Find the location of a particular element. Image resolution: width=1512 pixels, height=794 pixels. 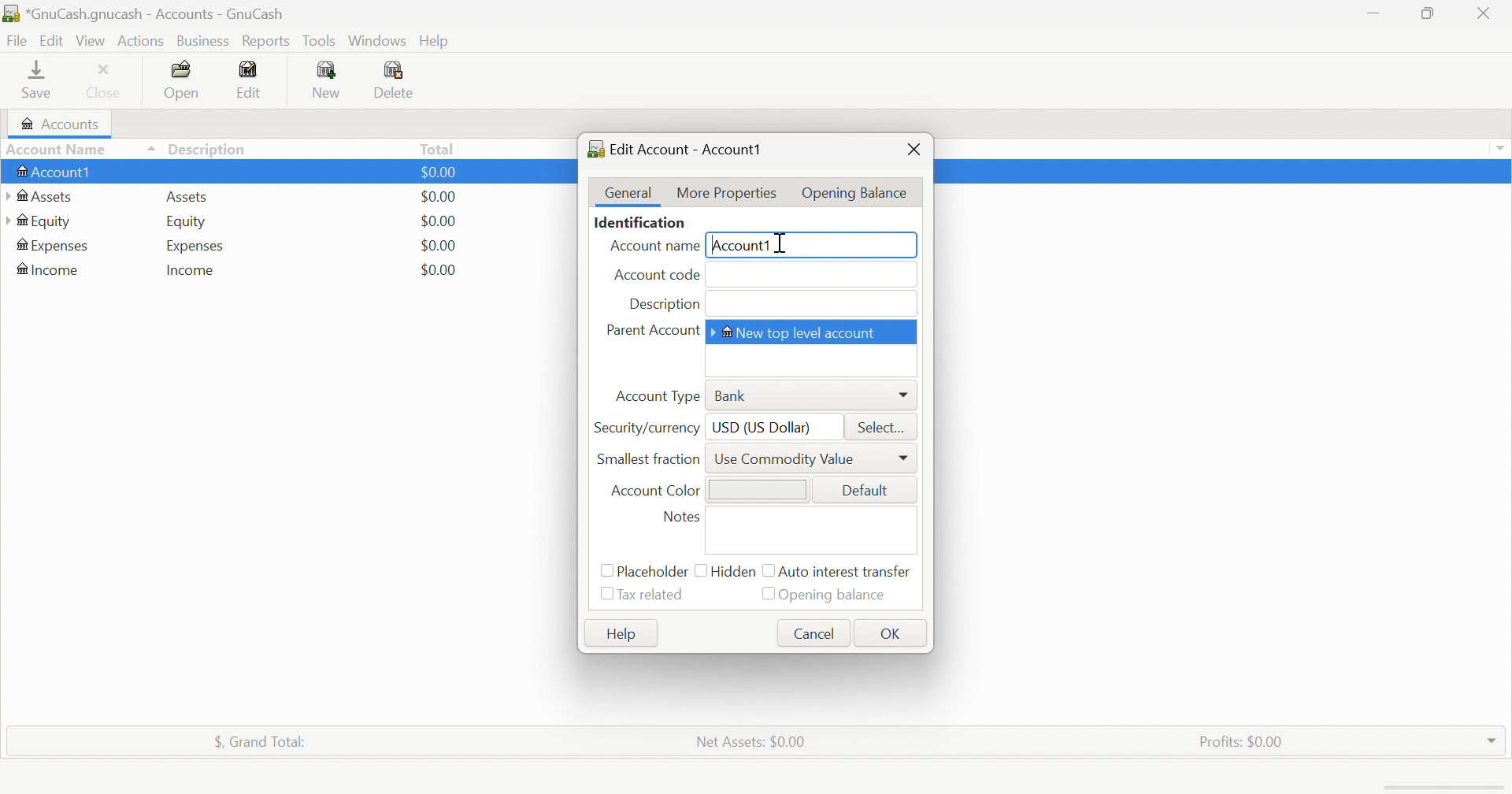

Assets is located at coordinates (44, 198).